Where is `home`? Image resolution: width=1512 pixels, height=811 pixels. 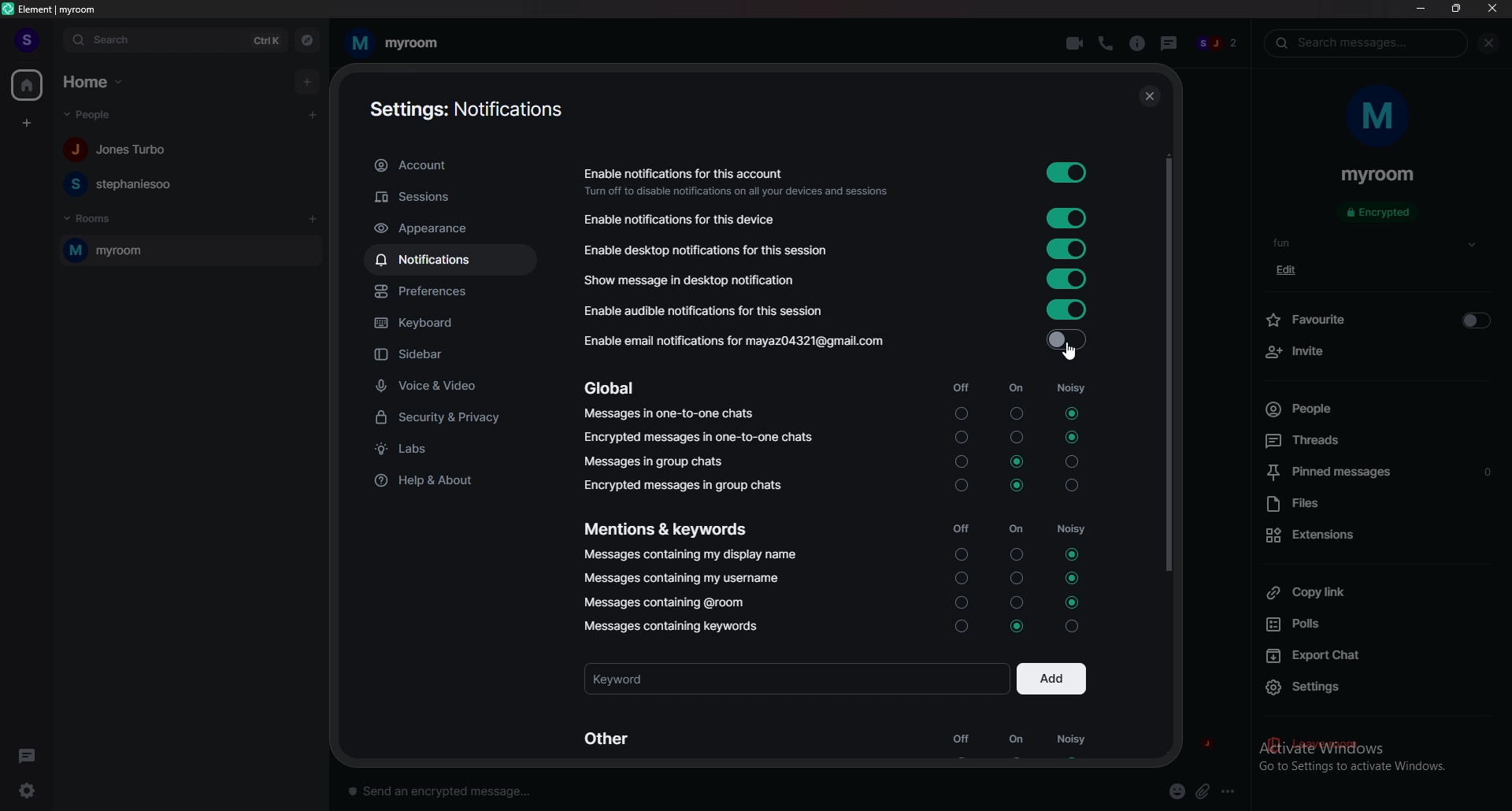 home is located at coordinates (26, 84).